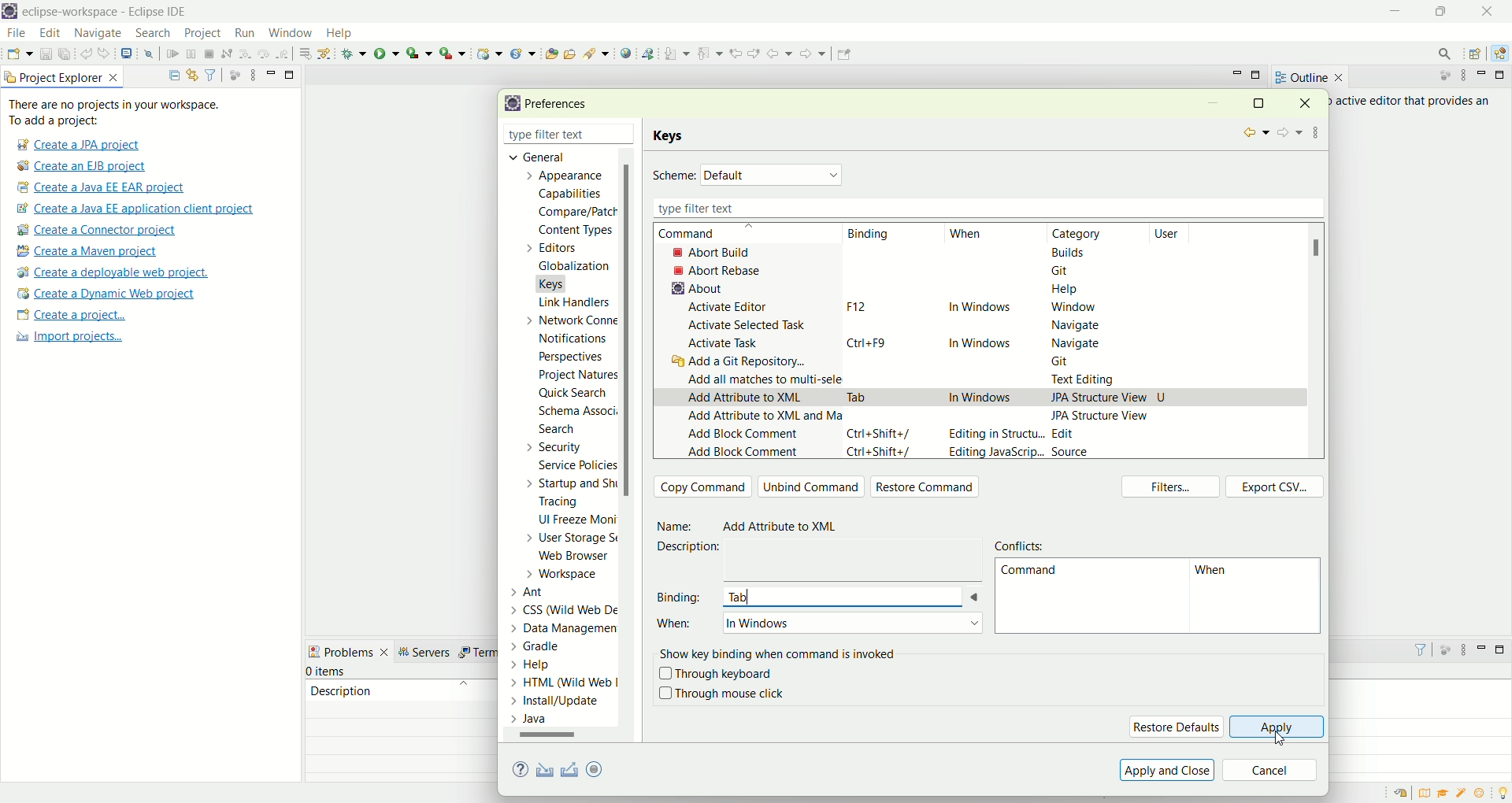  I want to click on focus on active task, so click(1444, 649).